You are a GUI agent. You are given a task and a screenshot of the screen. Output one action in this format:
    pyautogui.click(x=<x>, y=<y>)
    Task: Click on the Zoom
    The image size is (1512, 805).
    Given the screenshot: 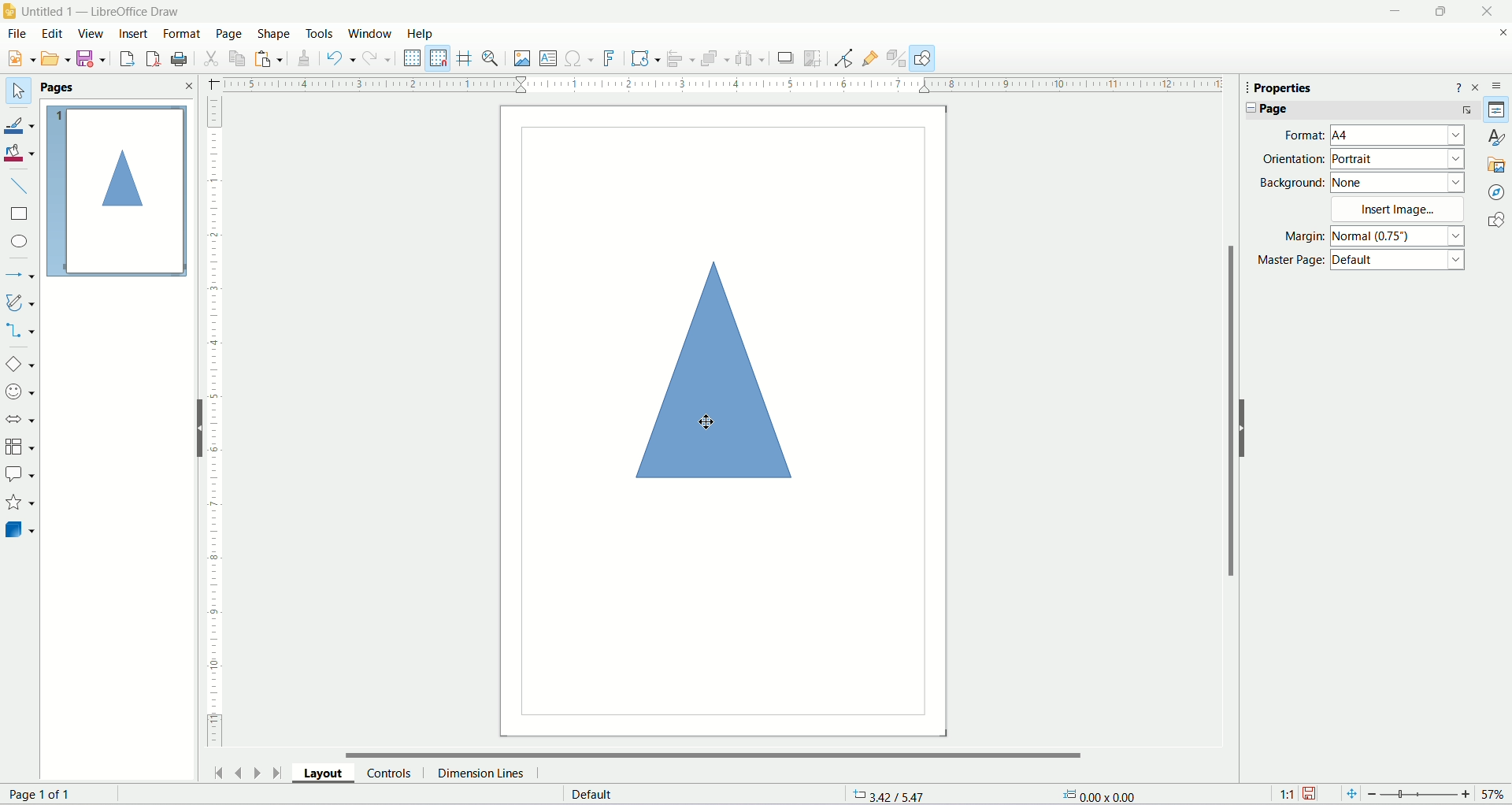 What is the action you would take?
    pyautogui.click(x=1425, y=794)
    